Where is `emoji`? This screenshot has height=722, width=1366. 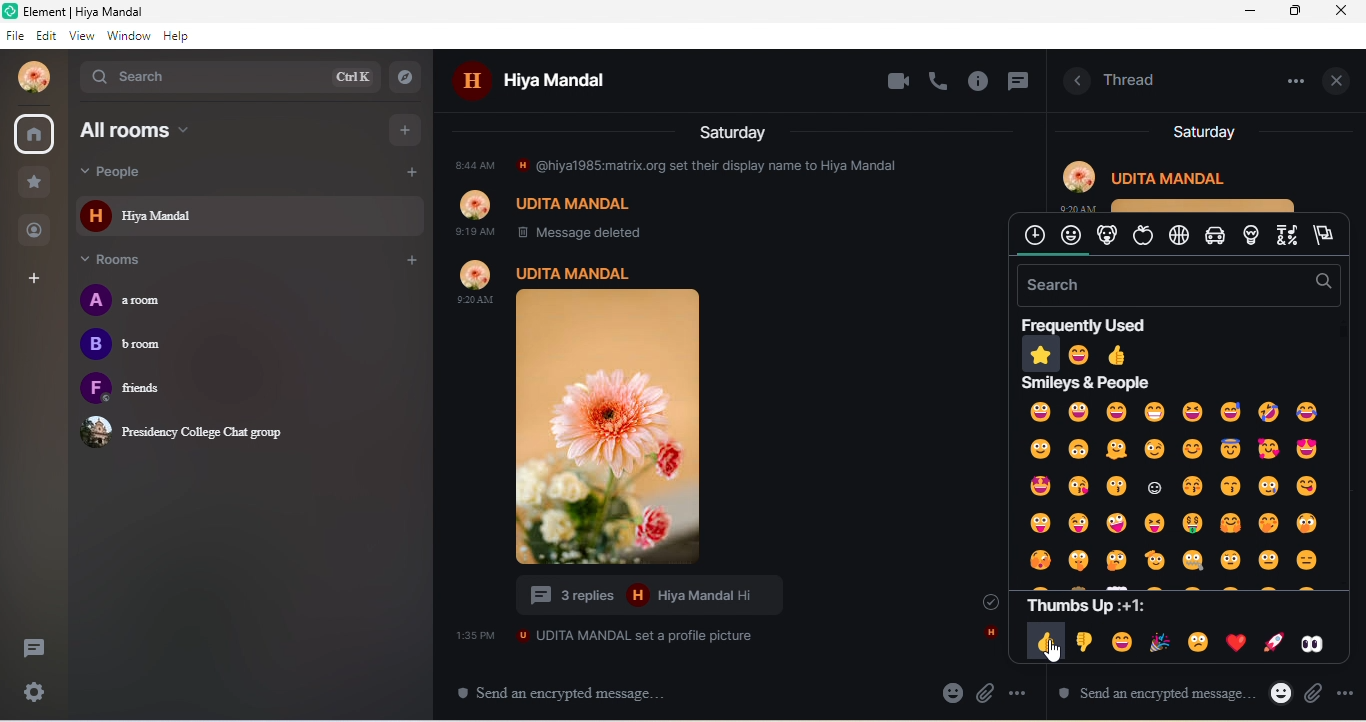
emoji is located at coordinates (952, 692).